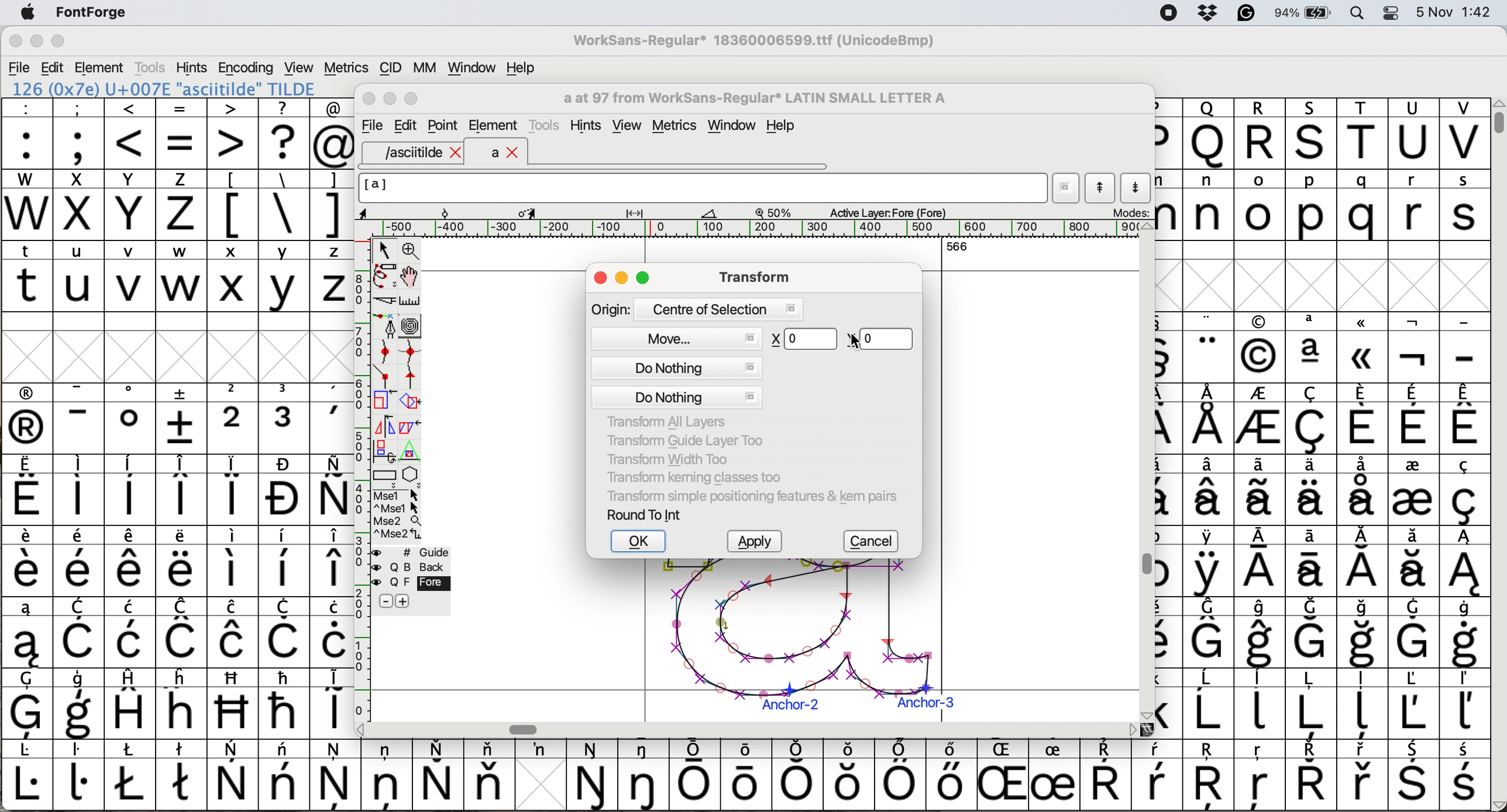 This screenshot has width=1507, height=812. What do you see at coordinates (540, 749) in the screenshot?
I see `symbol` at bounding box center [540, 749].